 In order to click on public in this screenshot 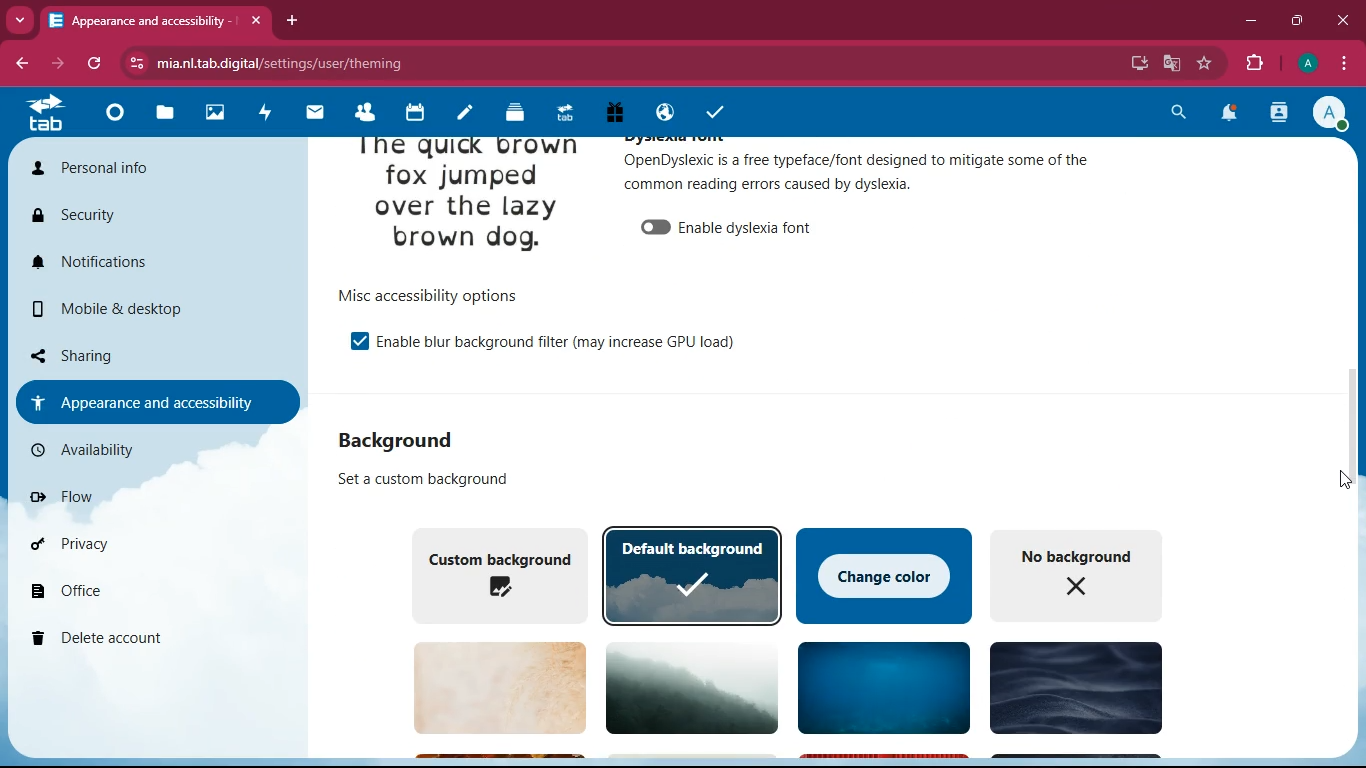, I will do `click(661, 114)`.